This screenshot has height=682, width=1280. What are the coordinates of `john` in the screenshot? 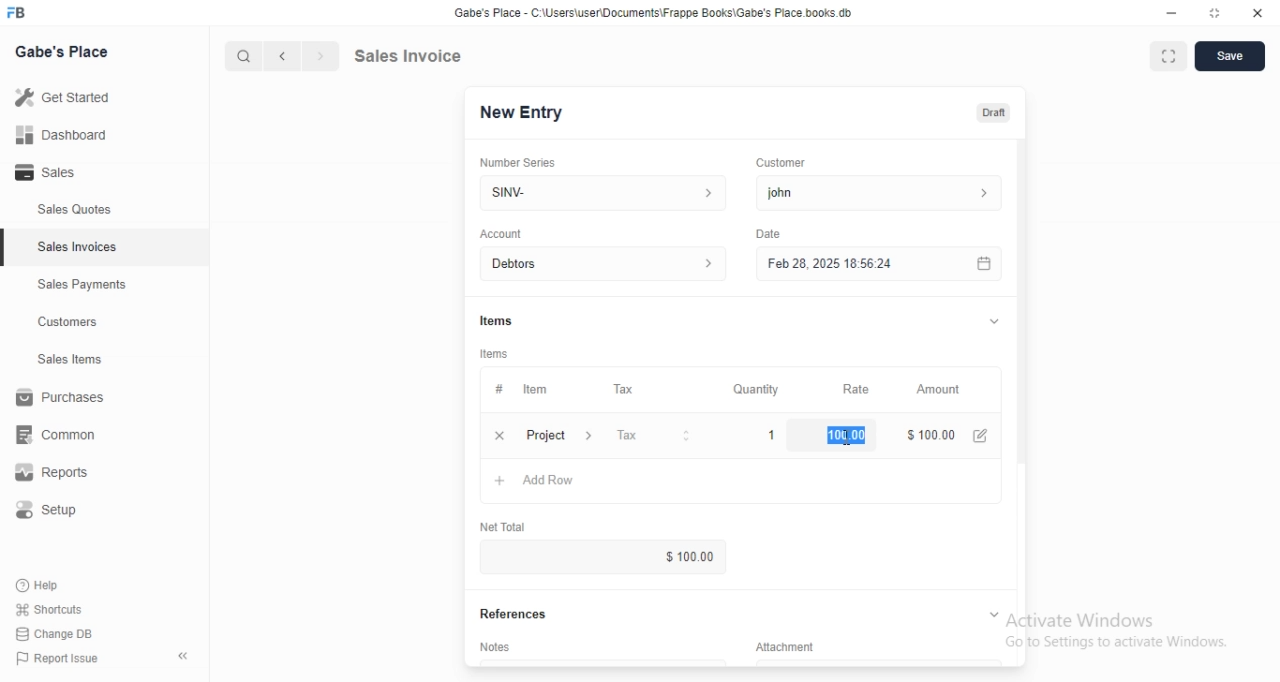 It's located at (876, 193).